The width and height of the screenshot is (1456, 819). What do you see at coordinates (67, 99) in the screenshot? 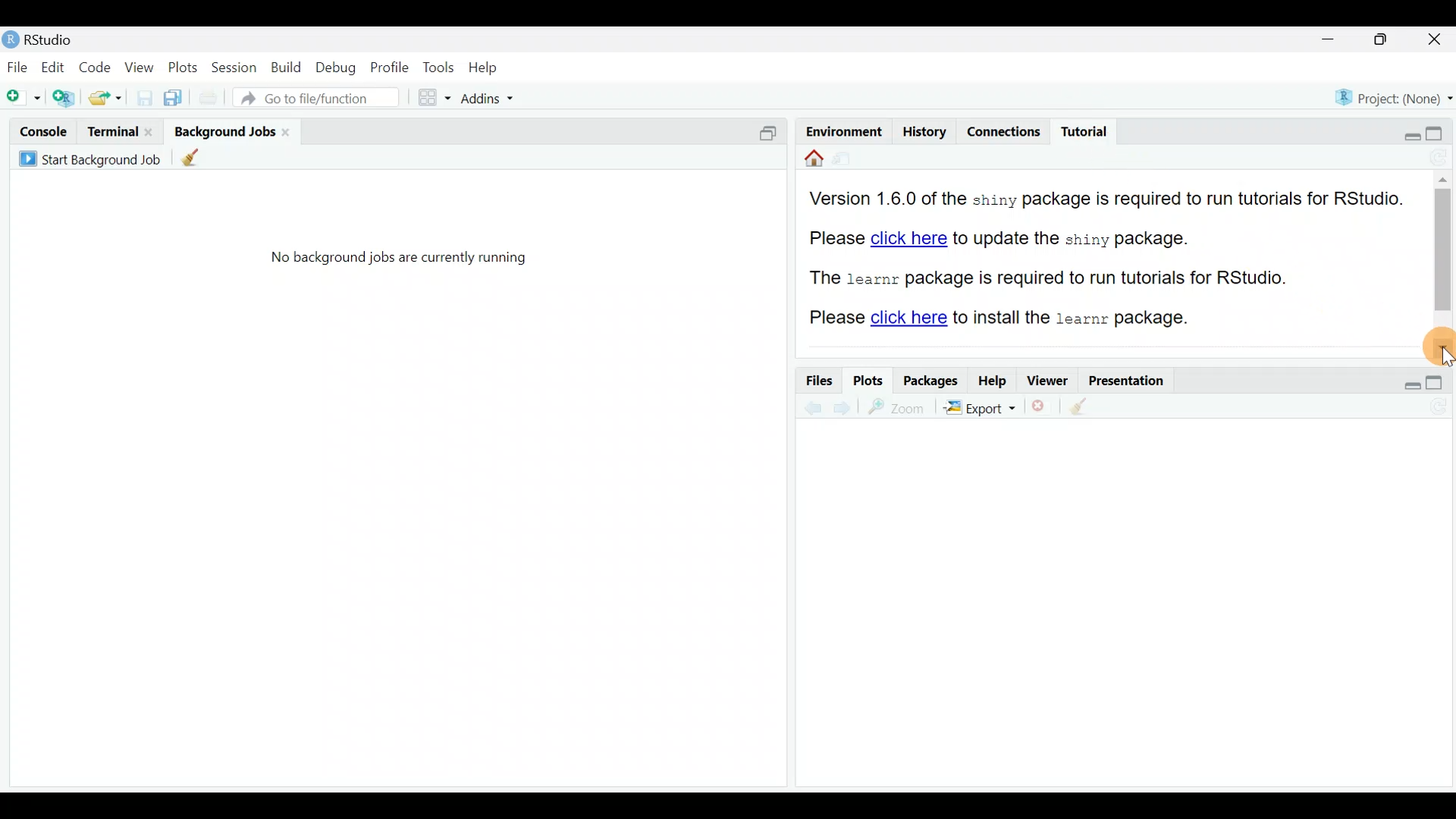
I see `Create a project` at bounding box center [67, 99].